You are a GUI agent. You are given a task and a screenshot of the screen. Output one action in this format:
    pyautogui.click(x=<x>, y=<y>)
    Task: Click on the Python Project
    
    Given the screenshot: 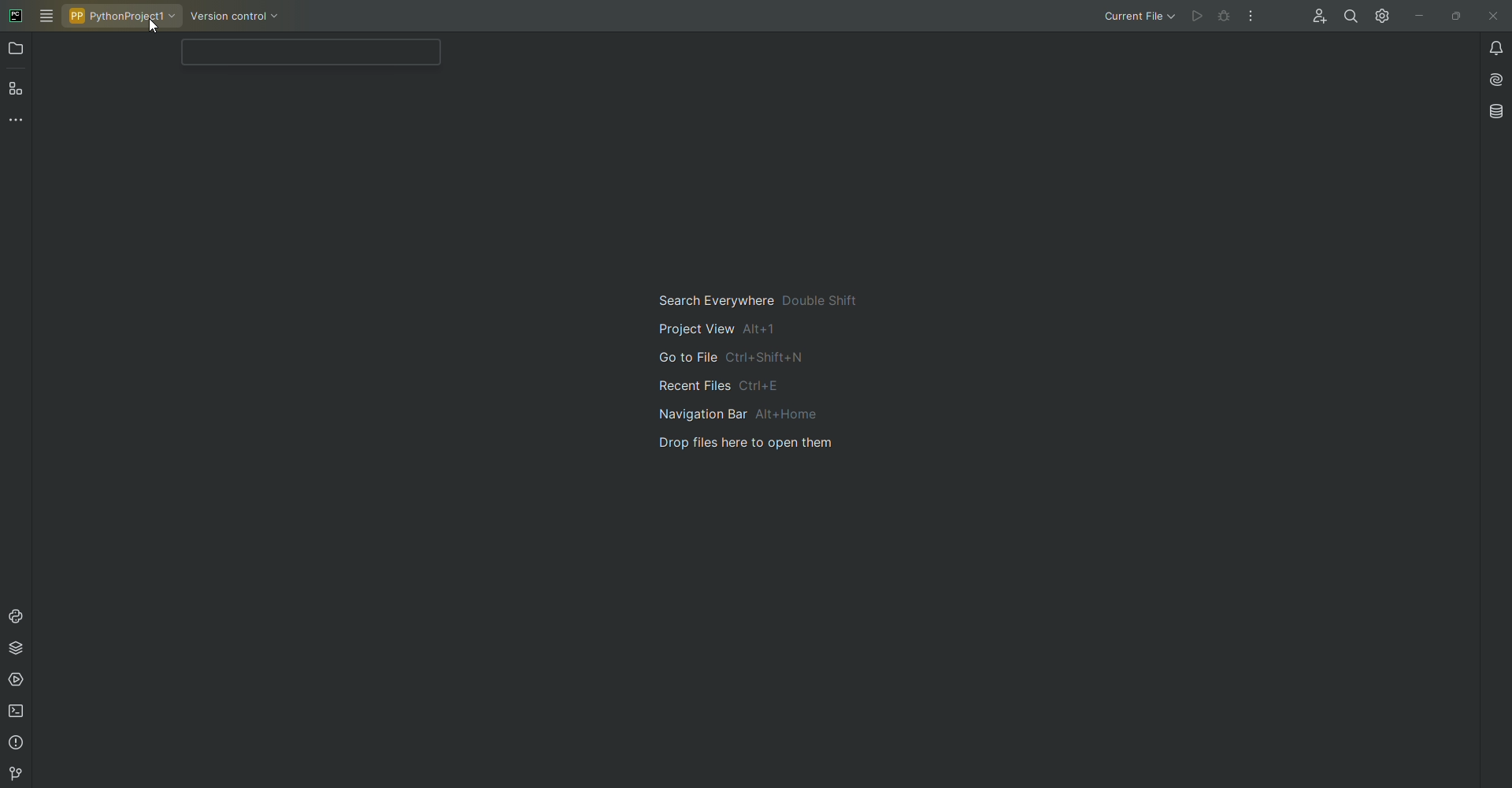 What is the action you would take?
    pyautogui.click(x=124, y=16)
    